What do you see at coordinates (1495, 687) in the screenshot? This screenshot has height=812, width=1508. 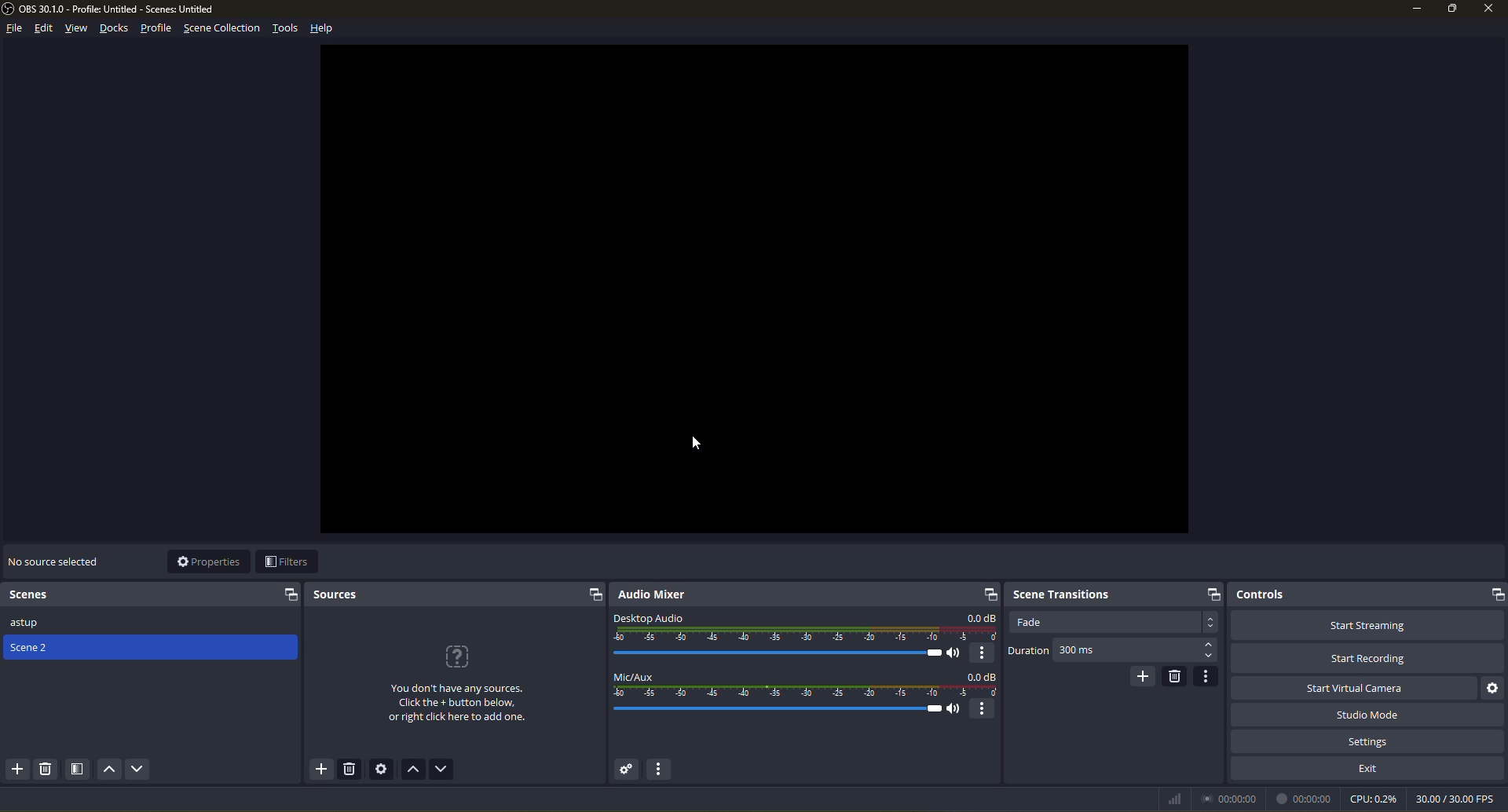 I see `configure virtual camera` at bounding box center [1495, 687].